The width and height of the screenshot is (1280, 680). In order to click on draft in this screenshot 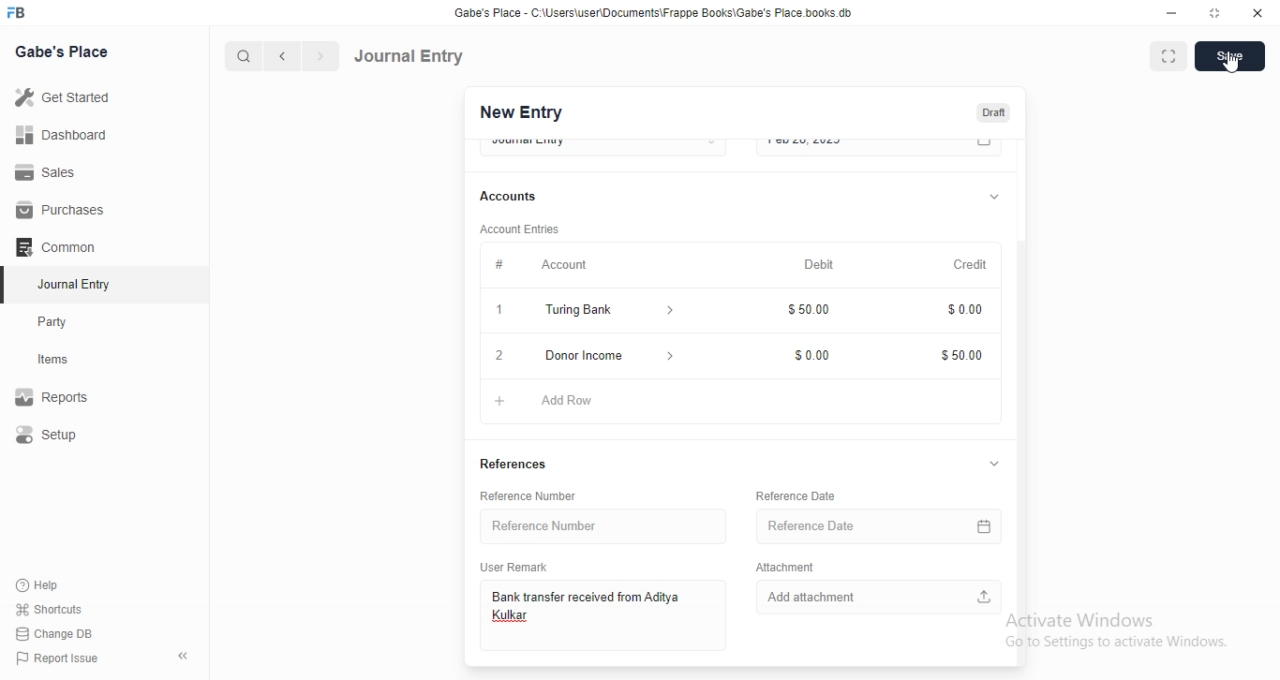, I will do `click(993, 114)`.